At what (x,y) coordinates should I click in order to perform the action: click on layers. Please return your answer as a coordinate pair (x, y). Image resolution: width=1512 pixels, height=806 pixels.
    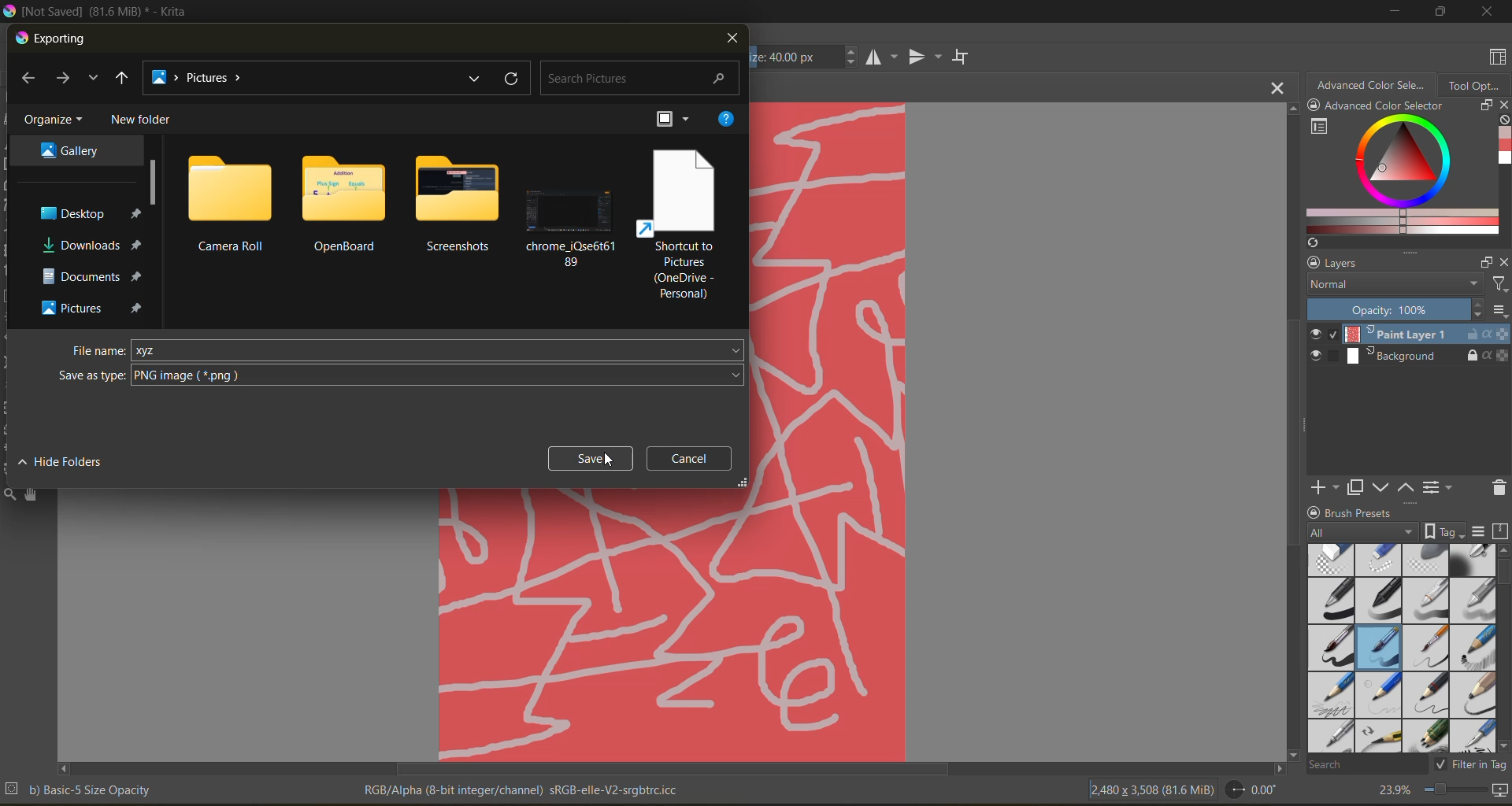
    Looking at the image, I should click on (1398, 264).